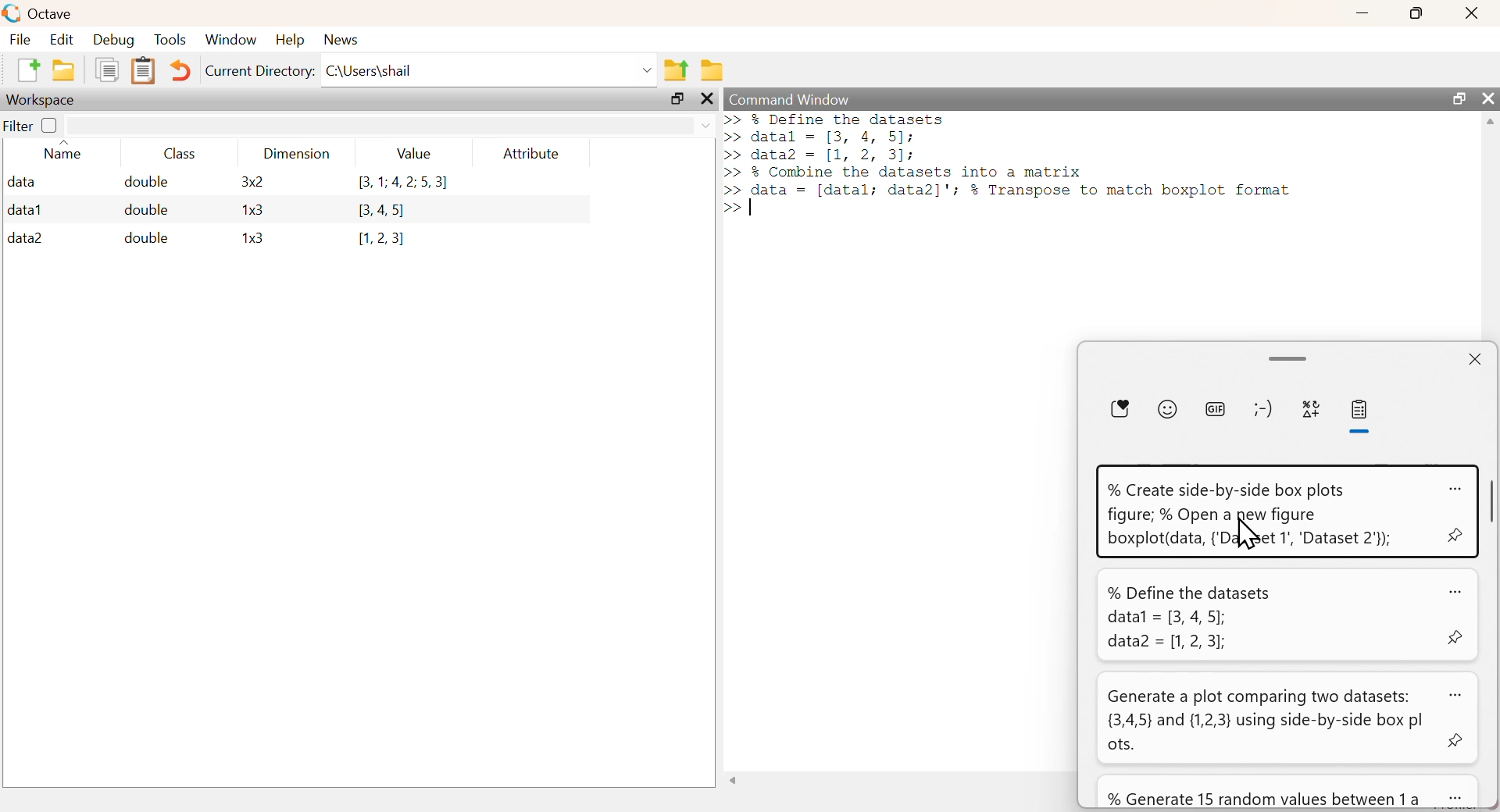 The height and width of the screenshot is (812, 1500). I want to click on maximize, so click(1458, 98).